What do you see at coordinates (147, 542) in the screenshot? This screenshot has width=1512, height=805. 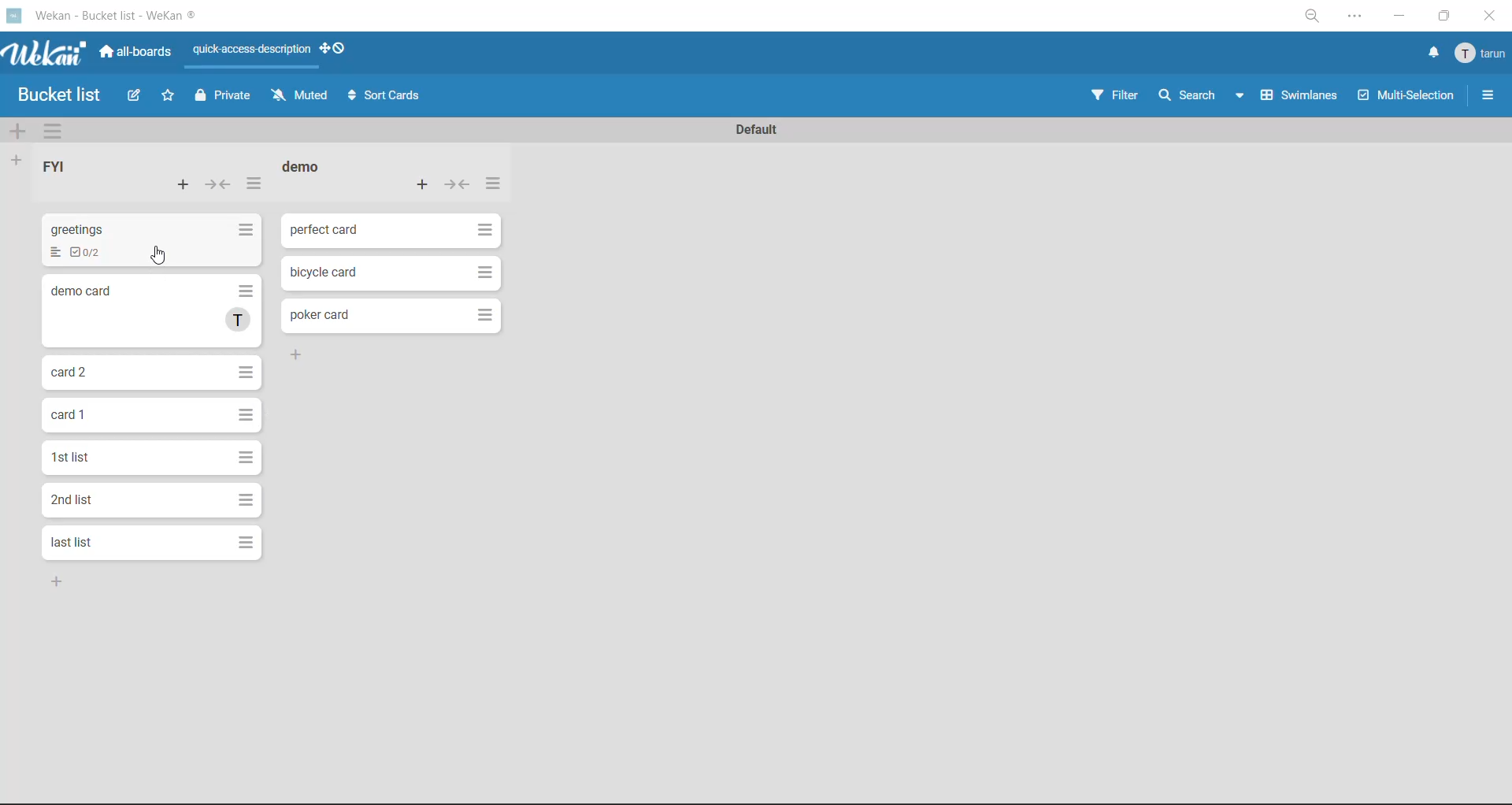 I see `card 7` at bounding box center [147, 542].